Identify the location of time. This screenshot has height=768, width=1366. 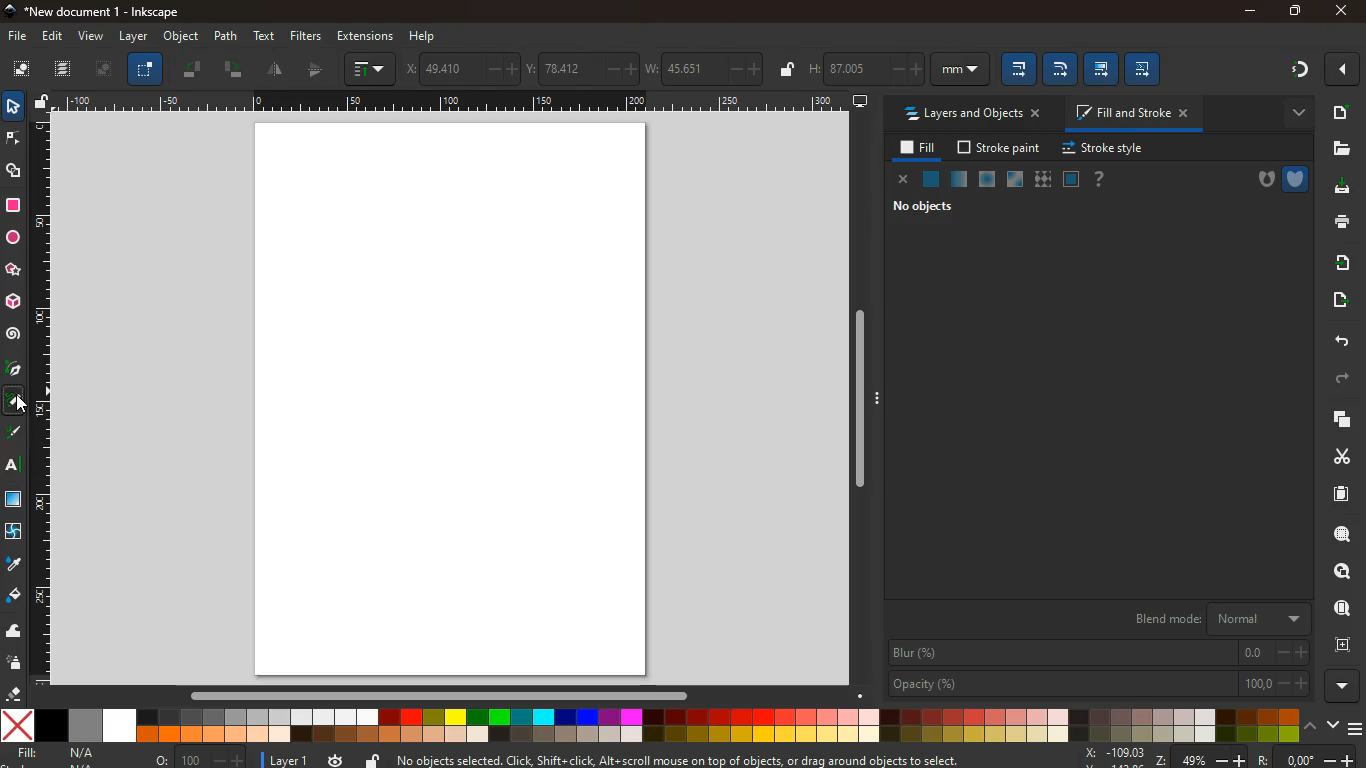
(335, 759).